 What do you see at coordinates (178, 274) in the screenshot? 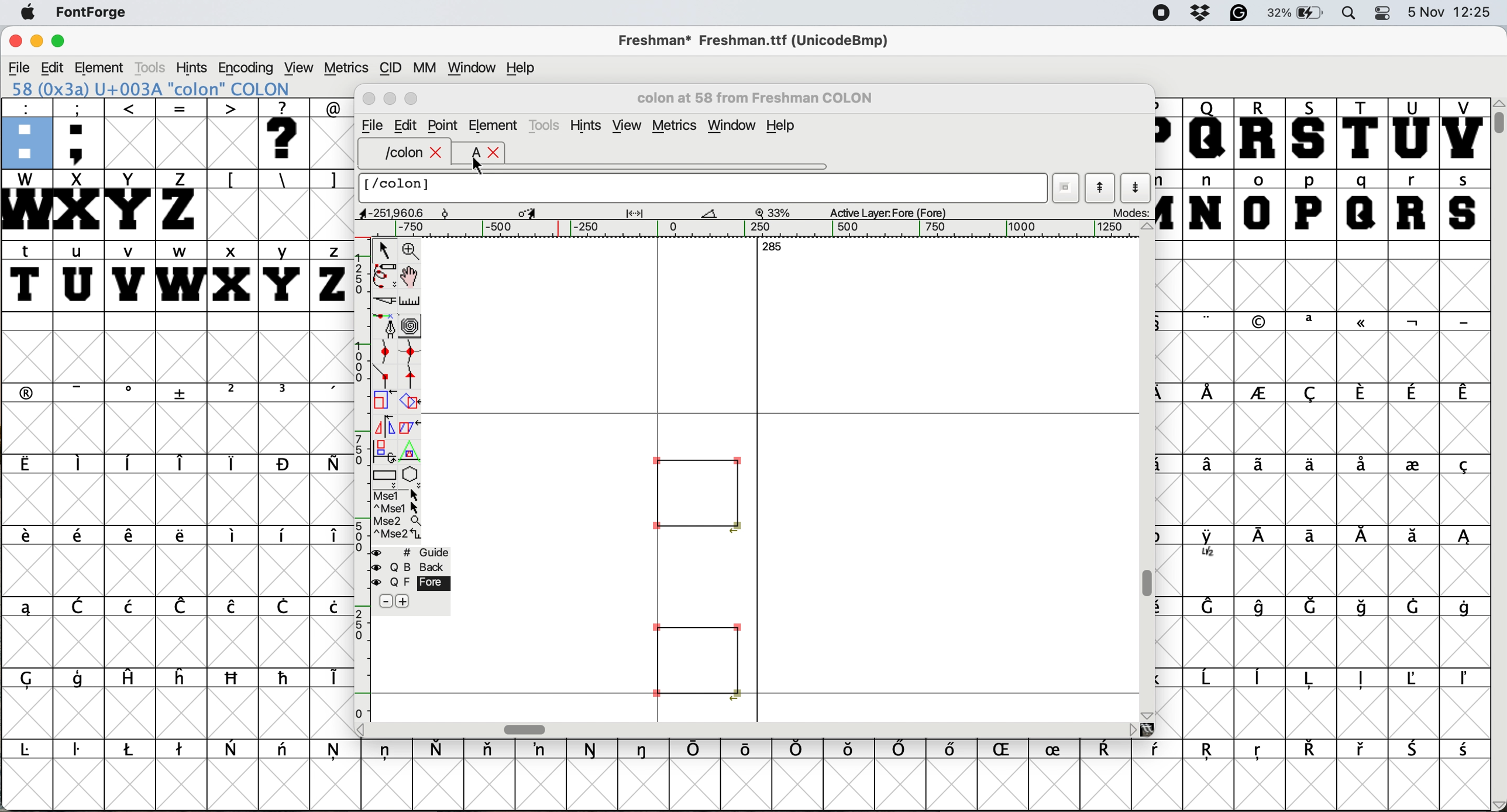
I see `w` at bounding box center [178, 274].